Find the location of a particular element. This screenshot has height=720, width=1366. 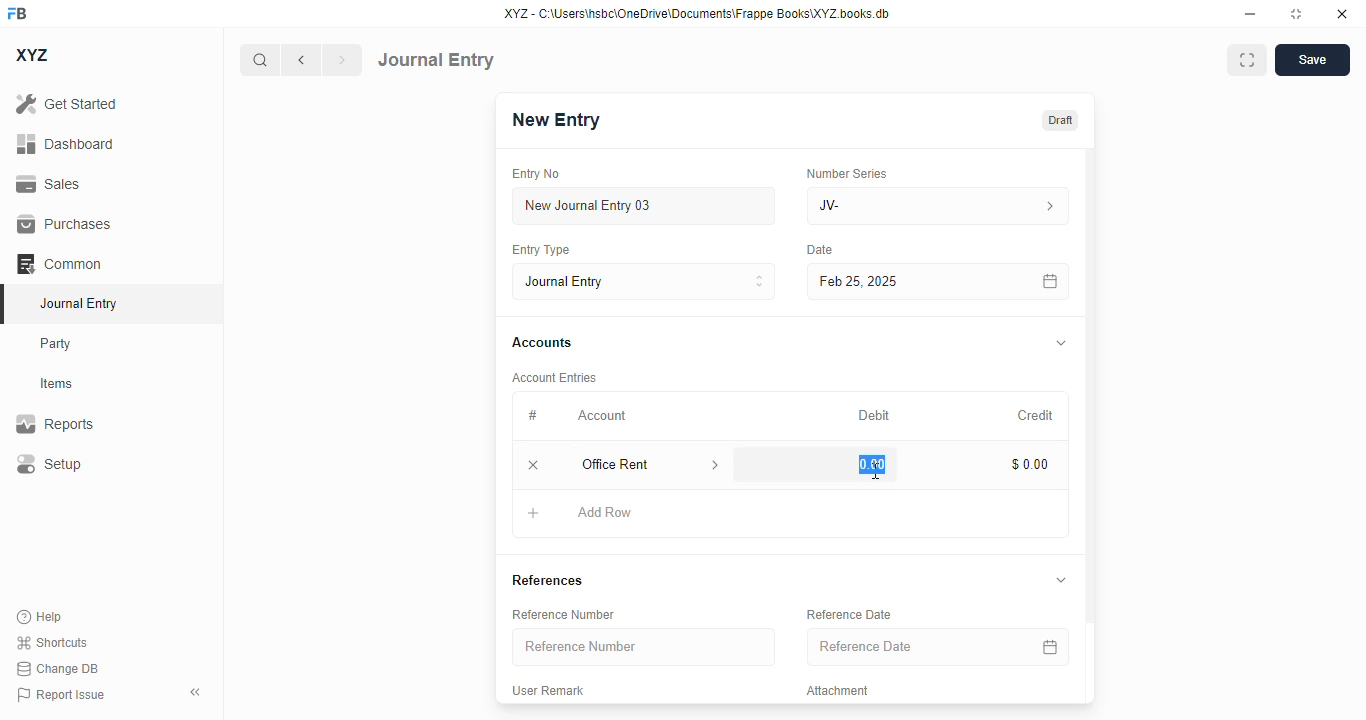

toggle expand/collapse is located at coordinates (1061, 579).